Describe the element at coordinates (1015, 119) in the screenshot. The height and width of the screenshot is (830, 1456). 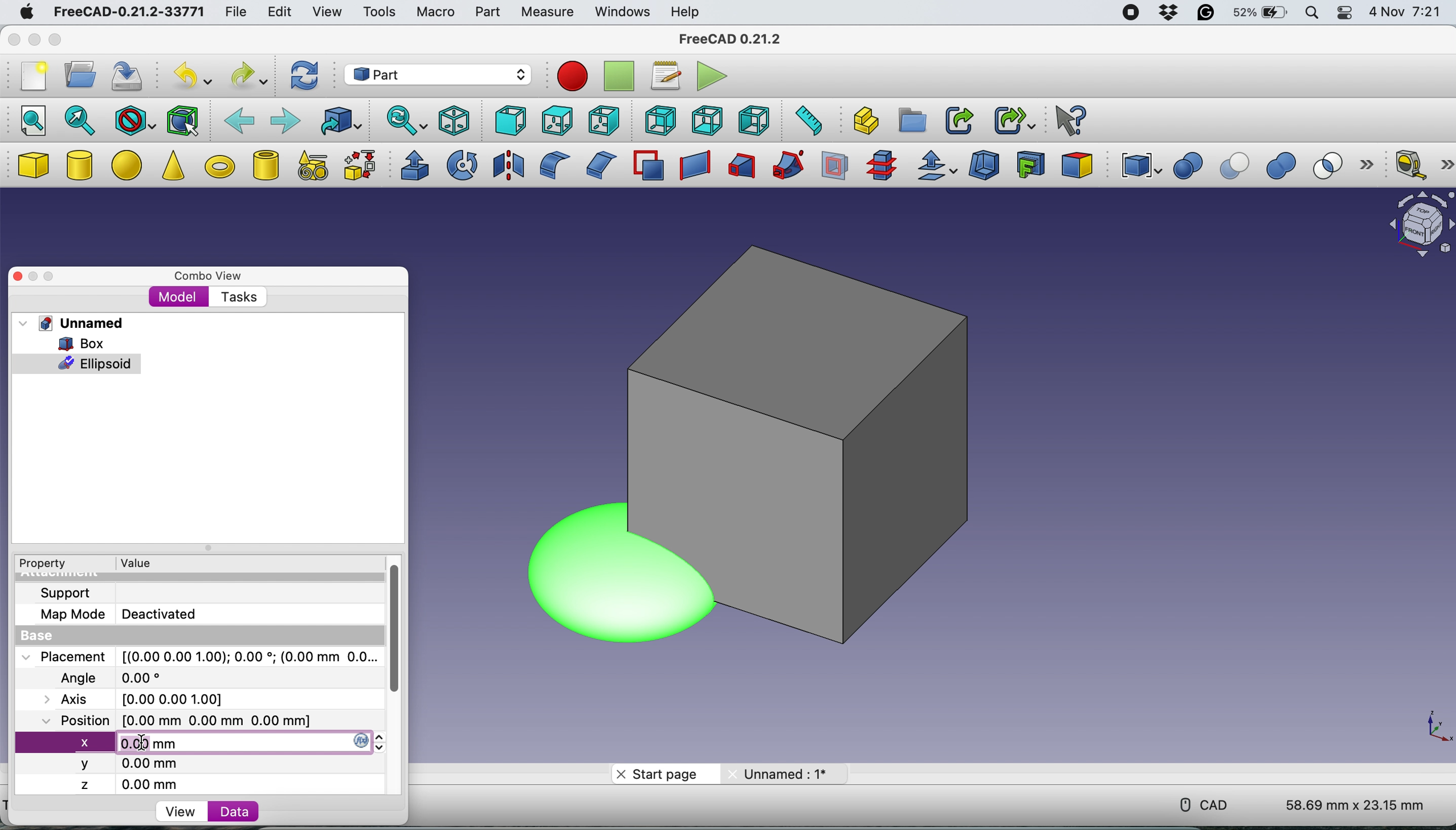
I see `make sub link` at that location.